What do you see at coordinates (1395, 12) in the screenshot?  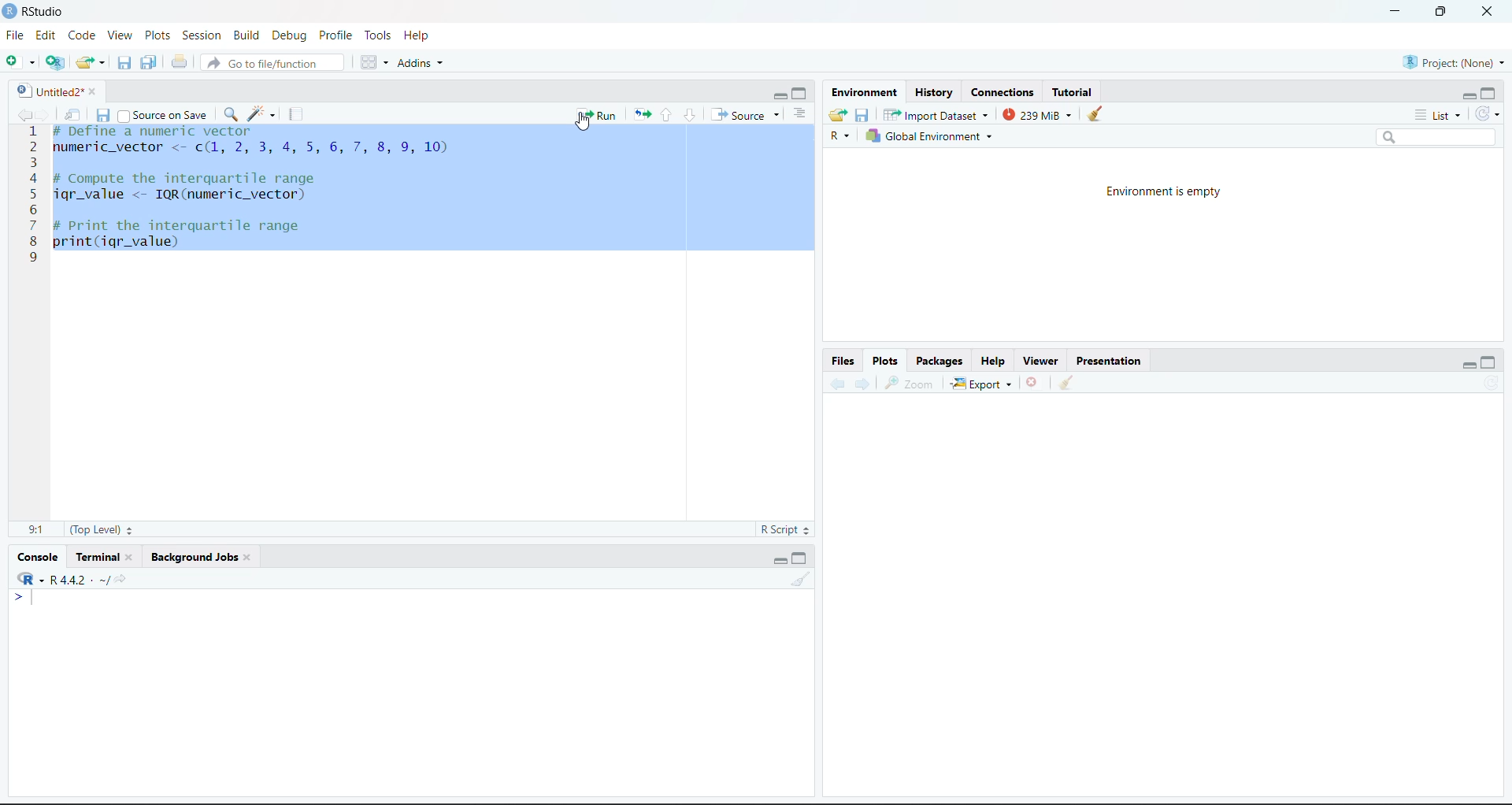 I see `Minimize` at bounding box center [1395, 12].